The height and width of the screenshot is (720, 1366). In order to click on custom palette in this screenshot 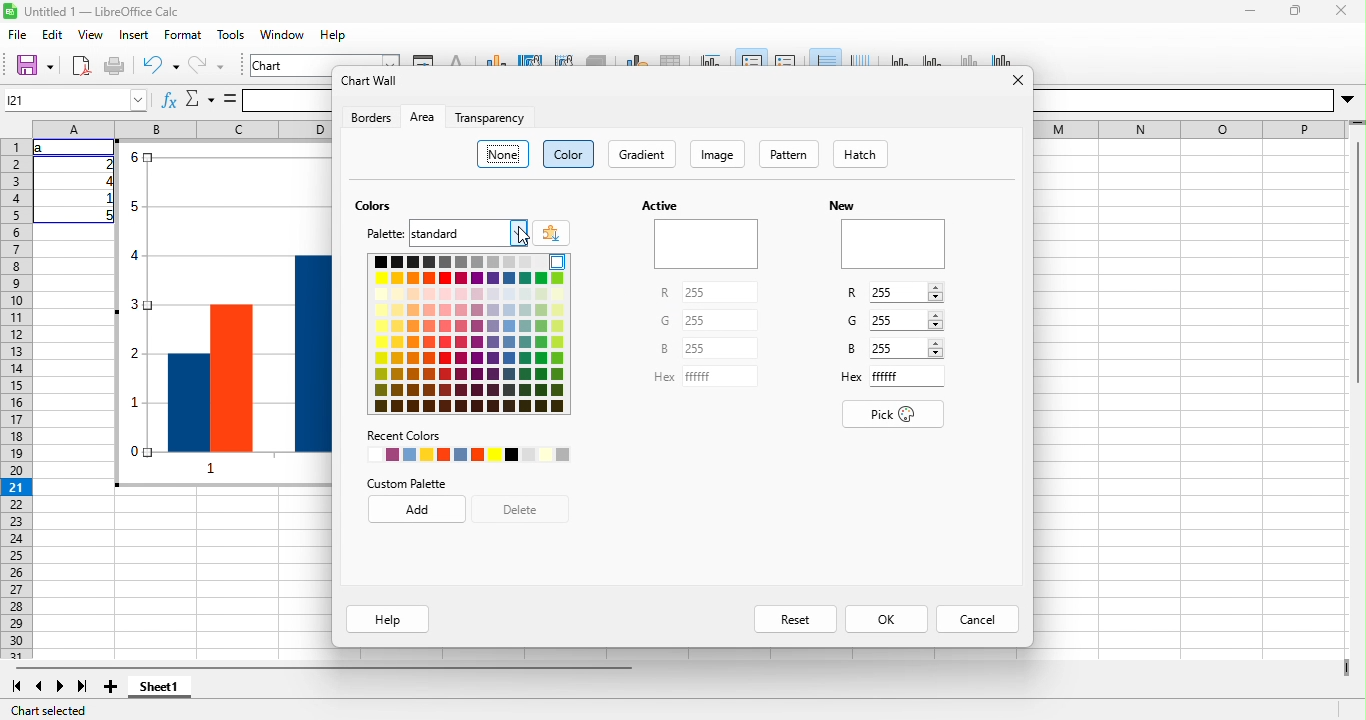, I will do `click(406, 484)`.